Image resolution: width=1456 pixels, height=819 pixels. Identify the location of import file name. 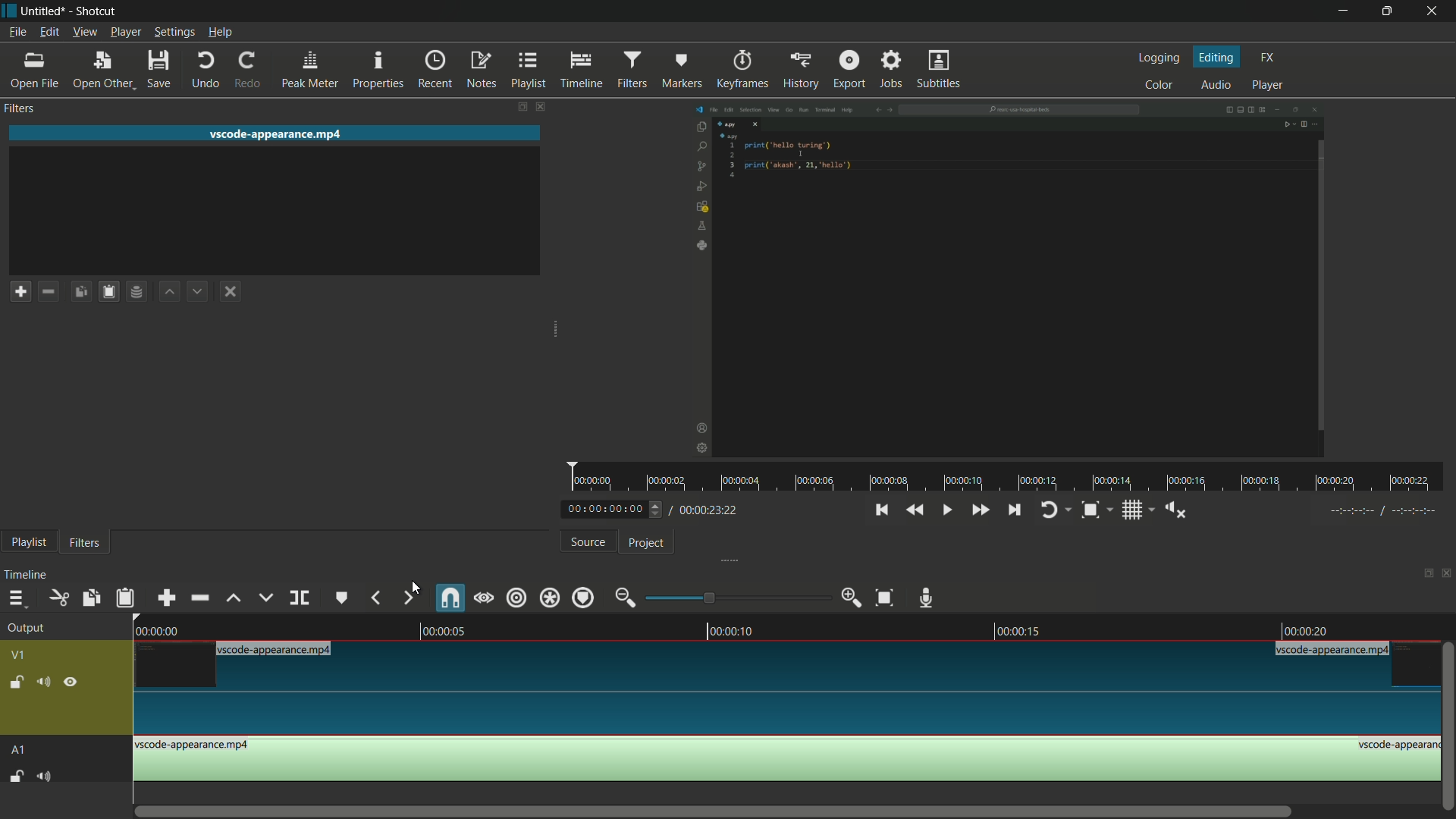
(279, 133).